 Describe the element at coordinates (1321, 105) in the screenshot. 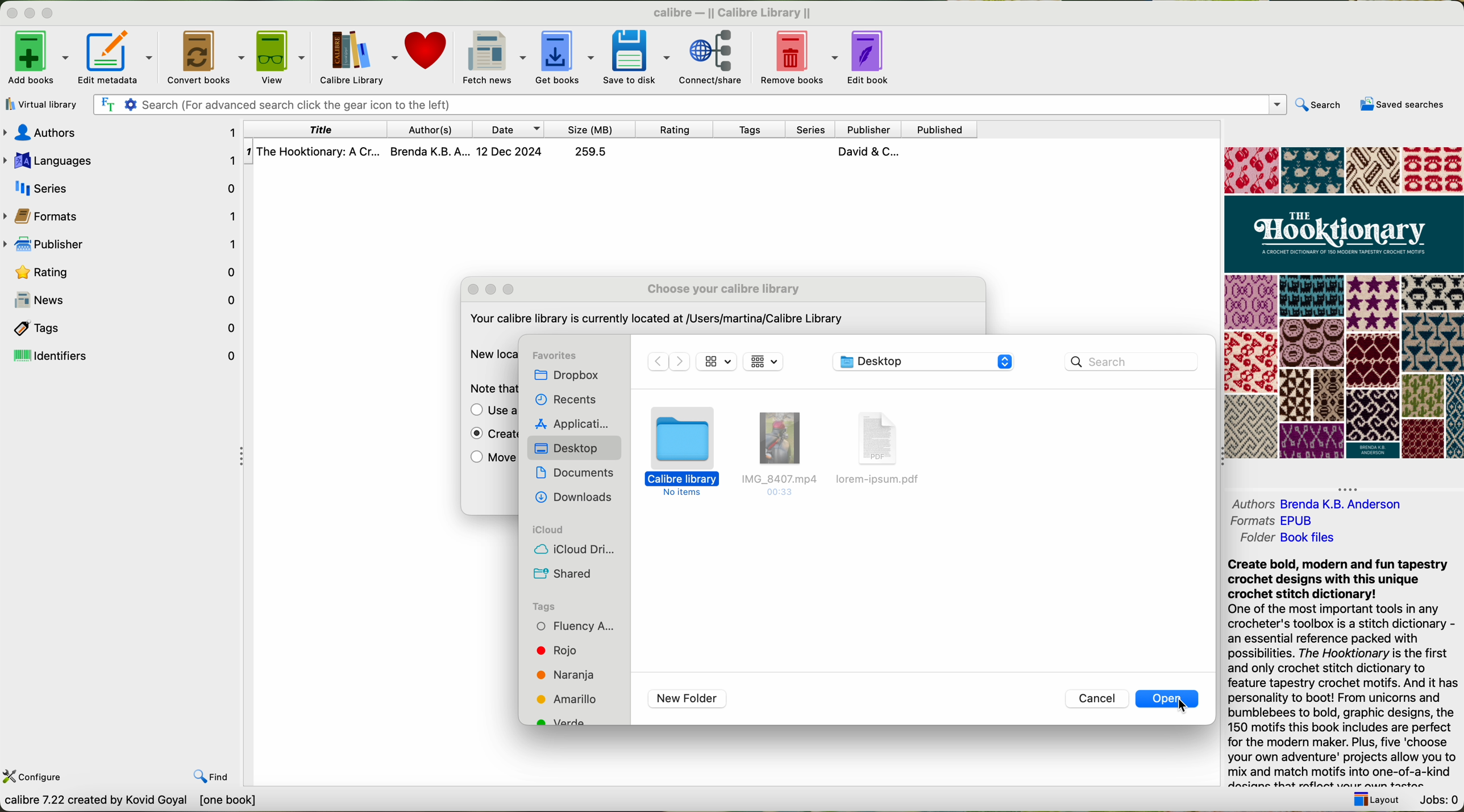

I see `search` at that location.